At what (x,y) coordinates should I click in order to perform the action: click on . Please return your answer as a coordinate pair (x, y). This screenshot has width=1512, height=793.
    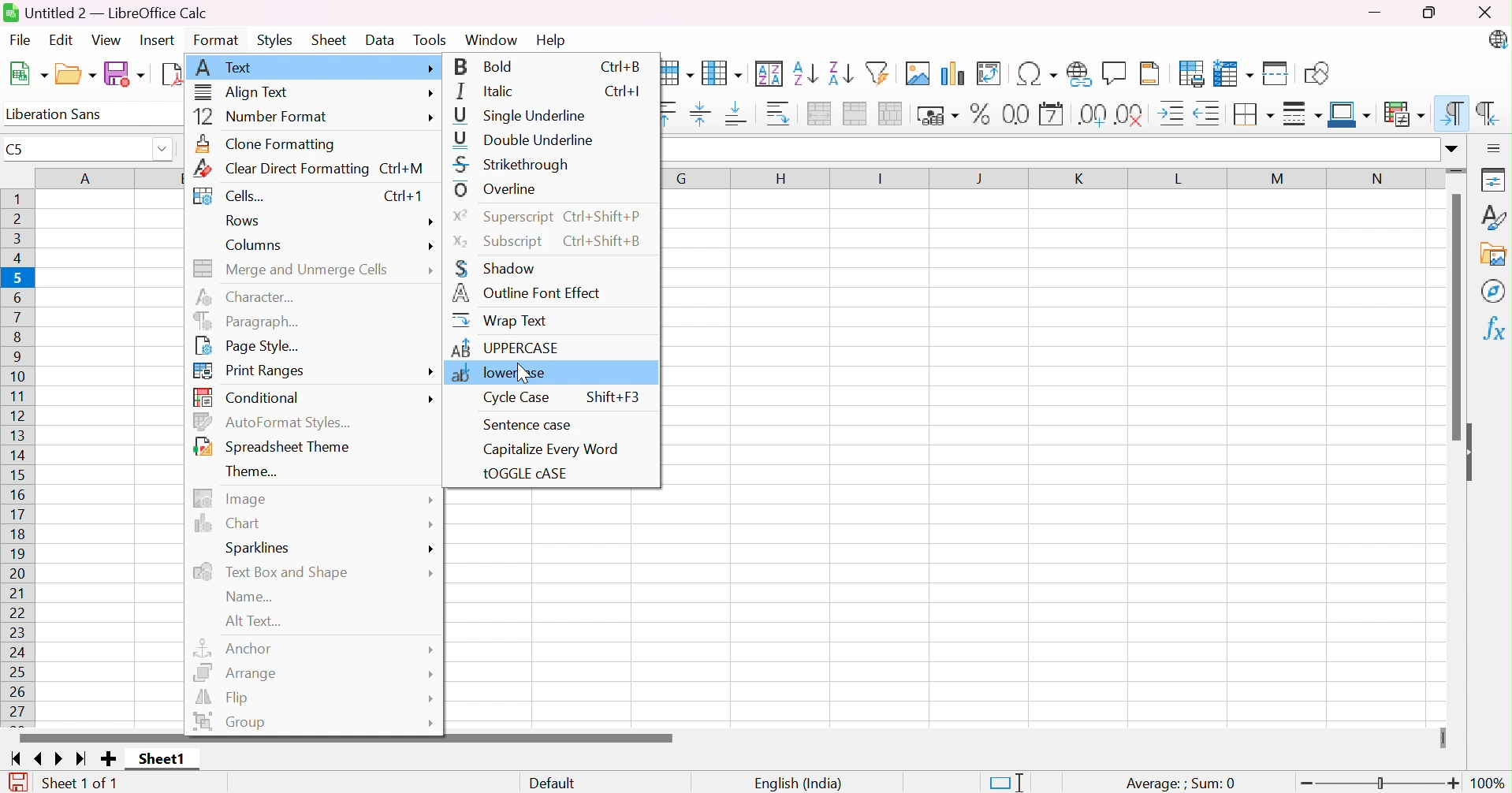
    Looking at the image, I should click on (110, 39).